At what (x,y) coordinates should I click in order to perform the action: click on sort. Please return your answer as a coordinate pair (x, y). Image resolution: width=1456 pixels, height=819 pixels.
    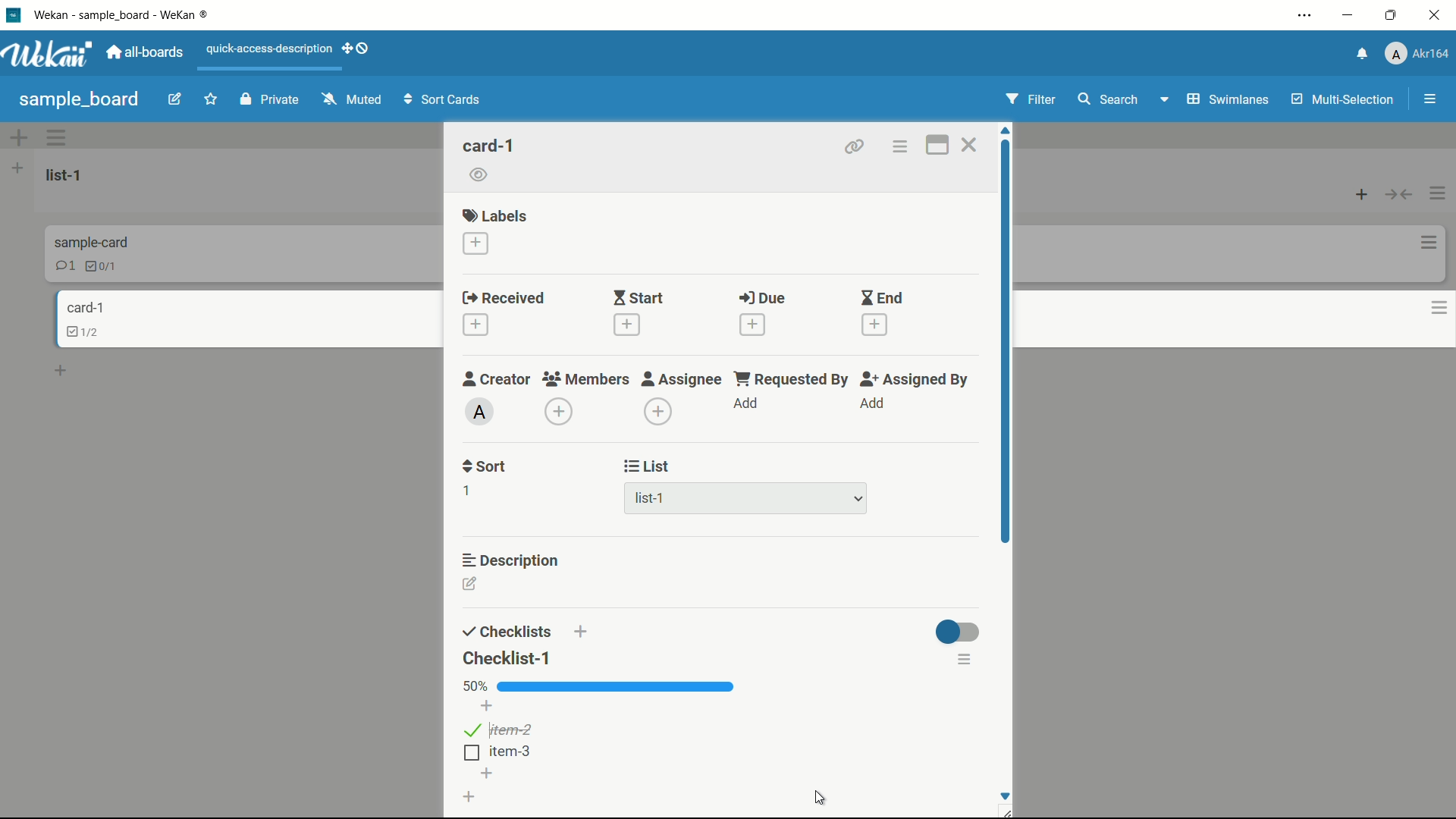
    Looking at the image, I should click on (484, 467).